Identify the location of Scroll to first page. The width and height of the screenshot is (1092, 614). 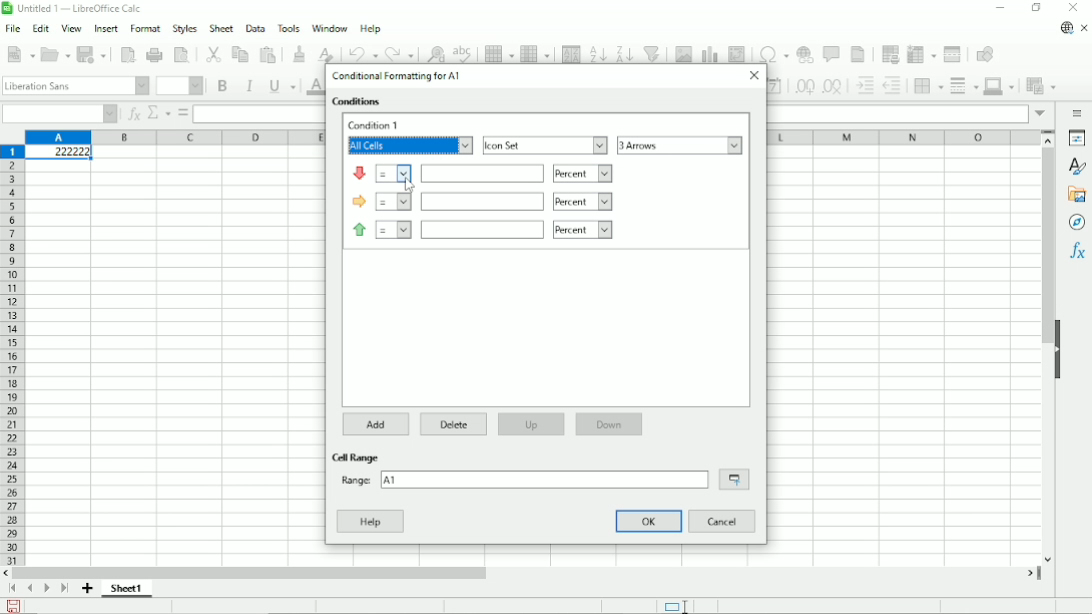
(13, 589).